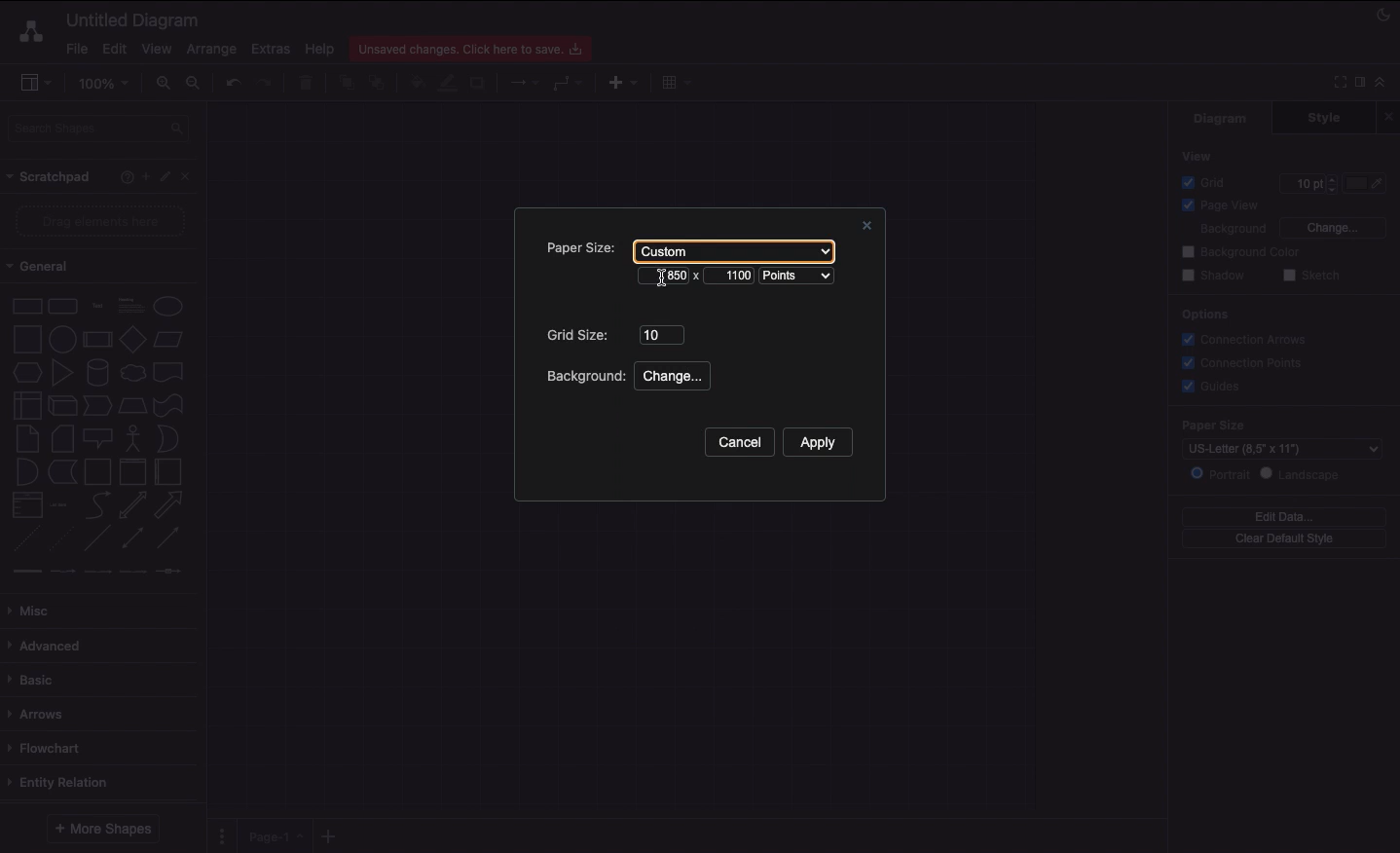 This screenshot has width=1400, height=853. What do you see at coordinates (1243, 362) in the screenshot?
I see `Connection points` at bounding box center [1243, 362].